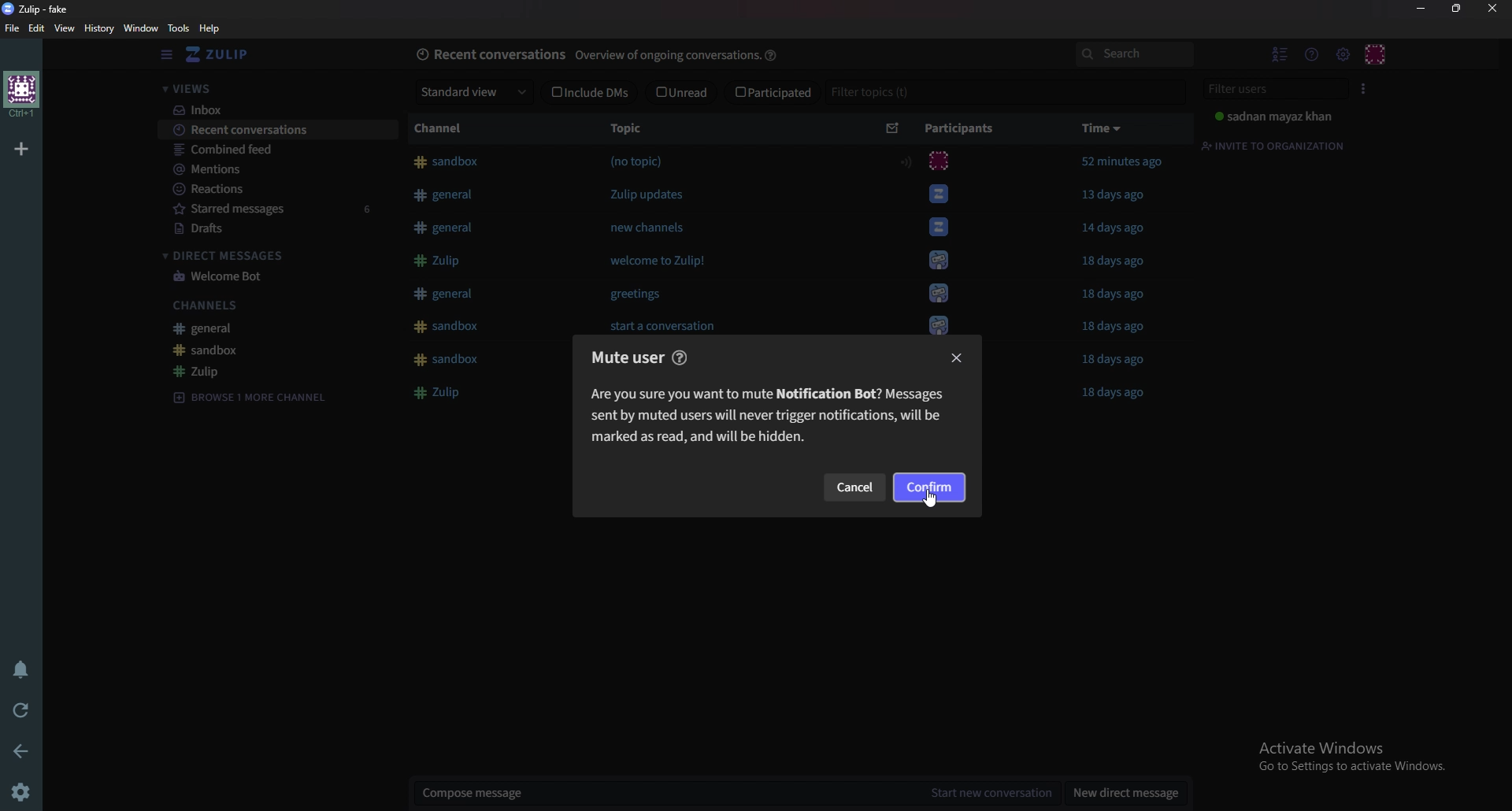 This screenshot has height=811, width=1512. What do you see at coordinates (939, 294) in the screenshot?
I see `icon` at bounding box center [939, 294].